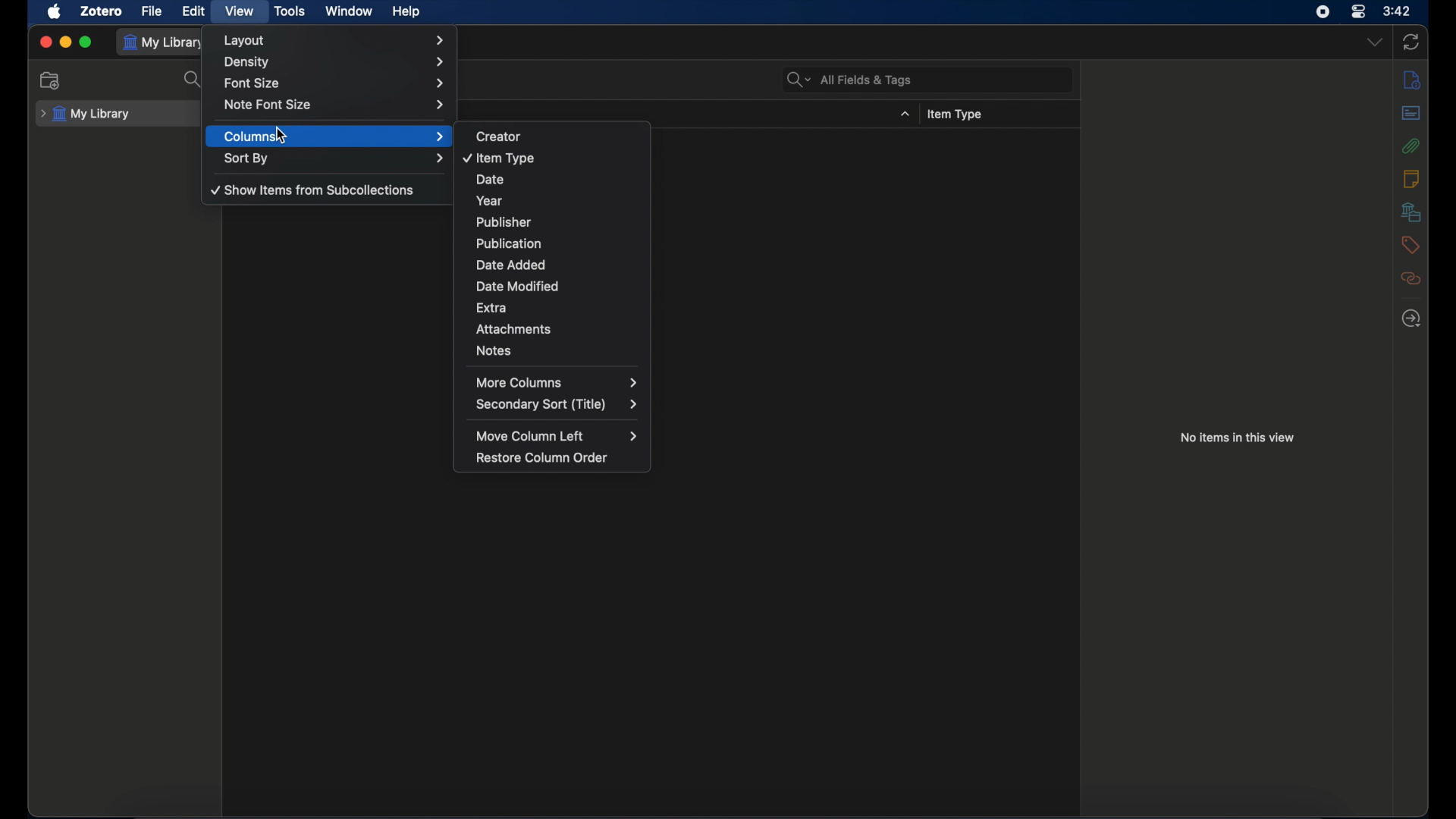 The width and height of the screenshot is (1456, 819). Describe the element at coordinates (406, 12) in the screenshot. I see `help` at that location.